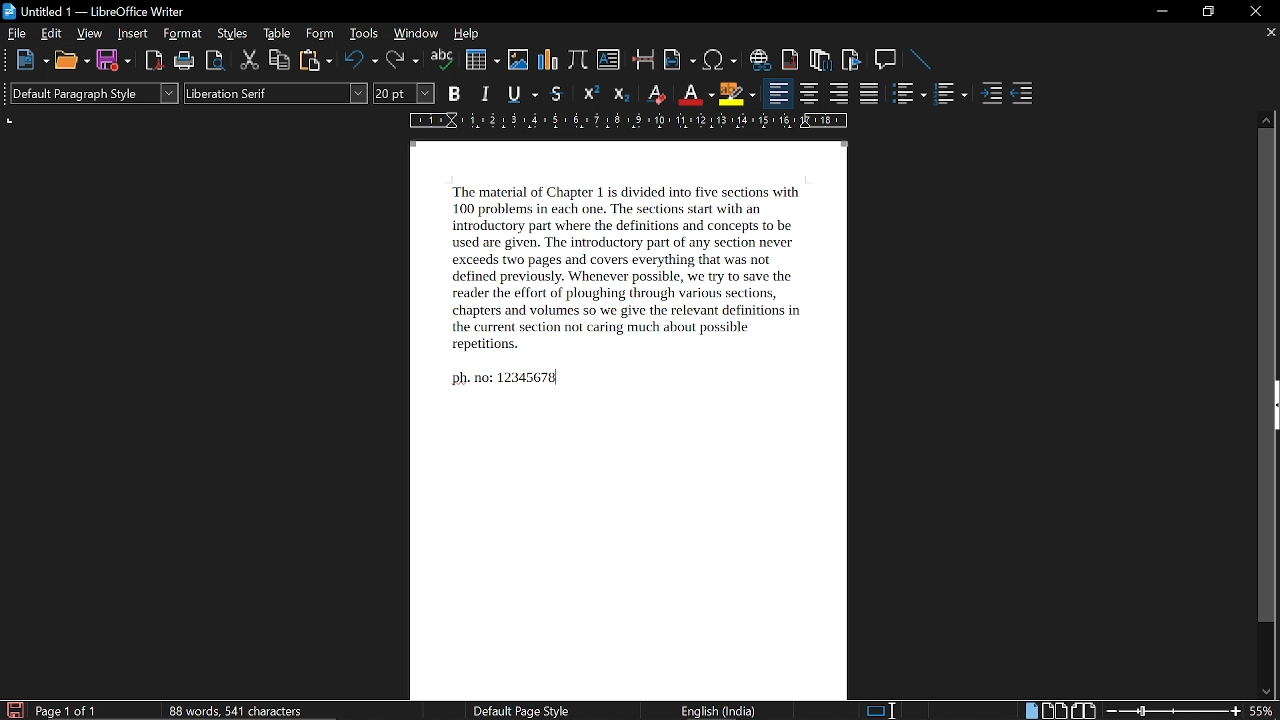 The width and height of the screenshot is (1280, 720). Describe the element at coordinates (453, 95) in the screenshot. I see `bold` at that location.